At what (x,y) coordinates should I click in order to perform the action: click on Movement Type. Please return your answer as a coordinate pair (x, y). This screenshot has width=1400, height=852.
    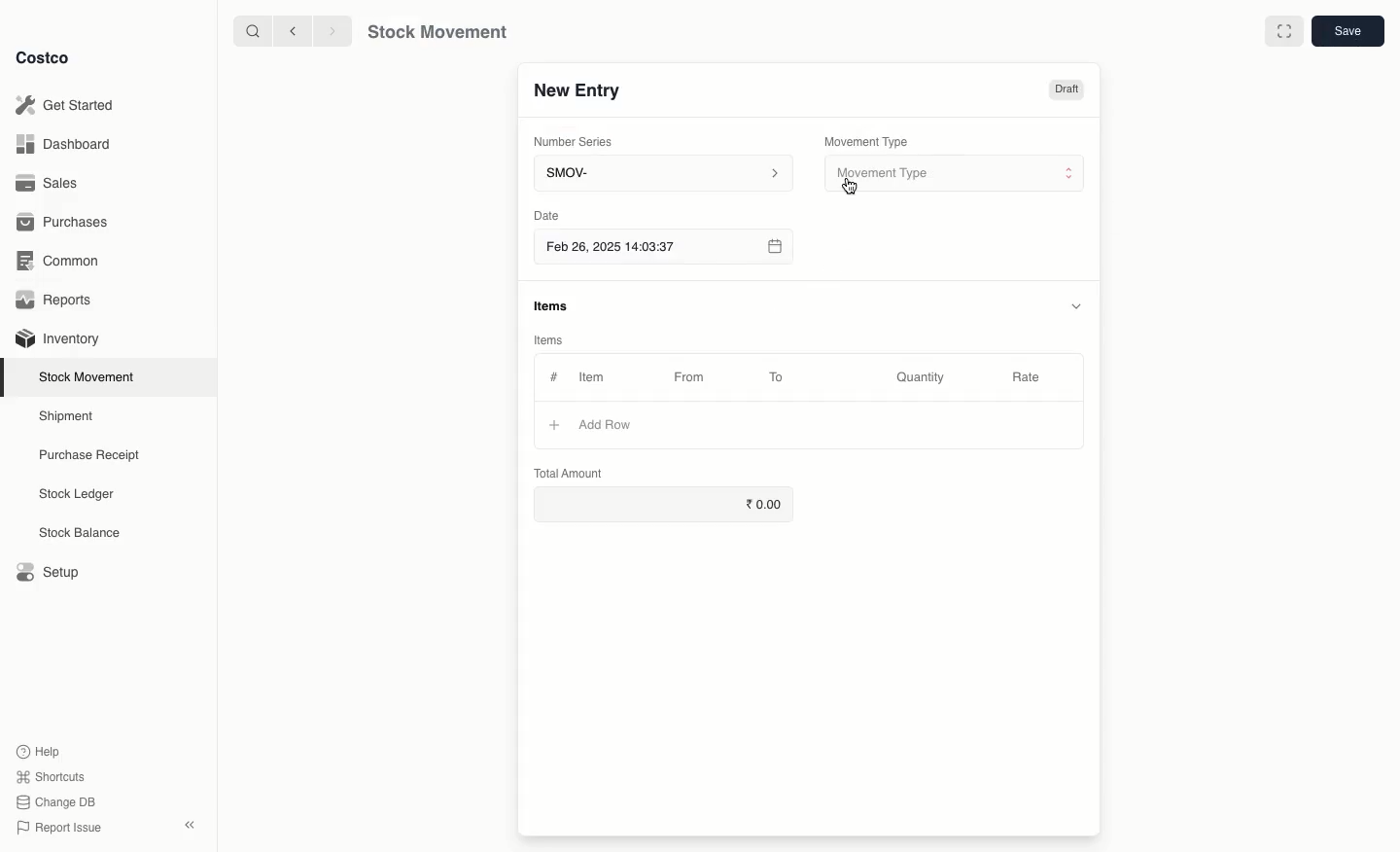
    Looking at the image, I should click on (957, 174).